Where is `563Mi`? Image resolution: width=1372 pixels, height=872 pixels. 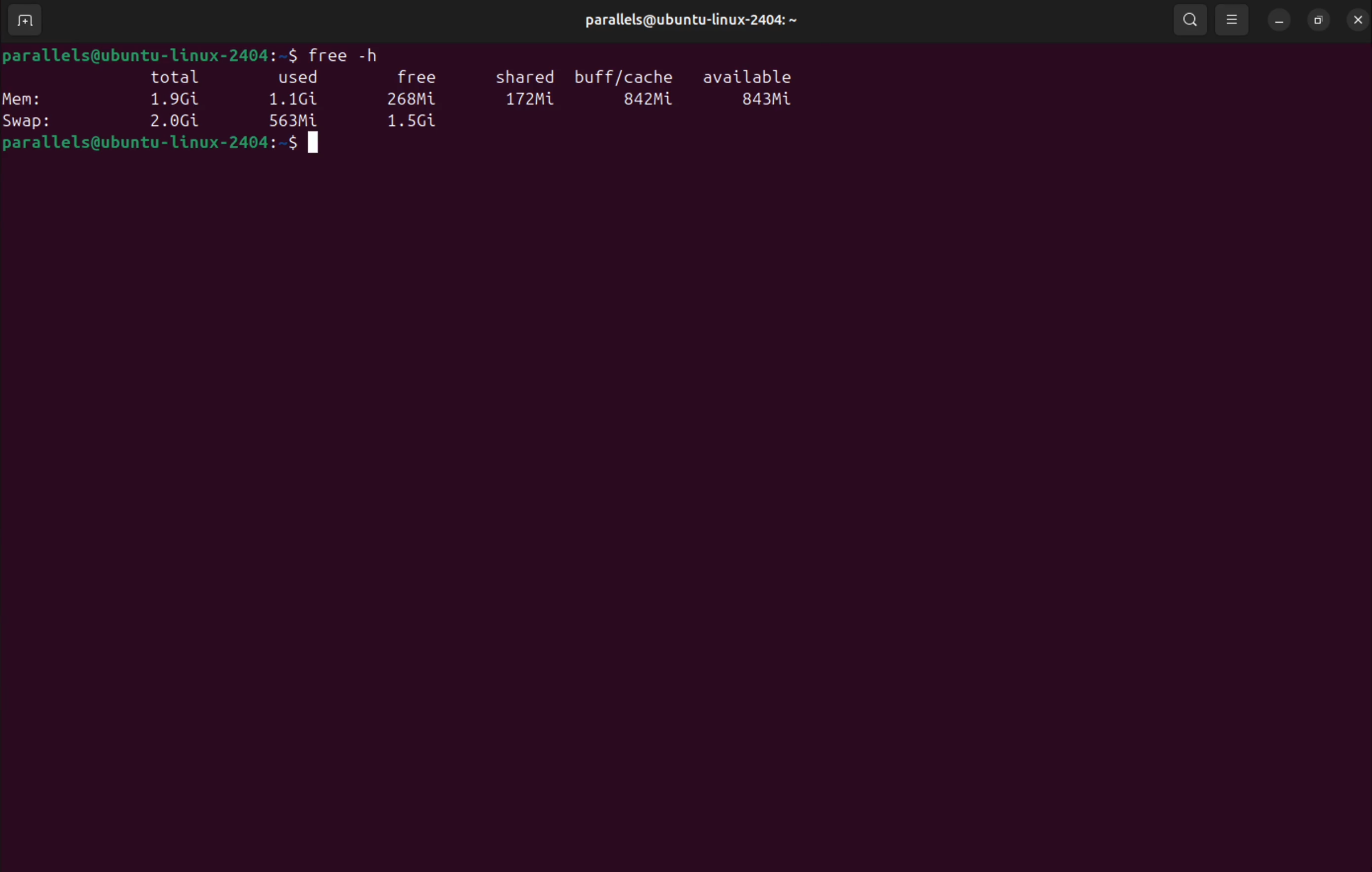 563Mi is located at coordinates (293, 121).